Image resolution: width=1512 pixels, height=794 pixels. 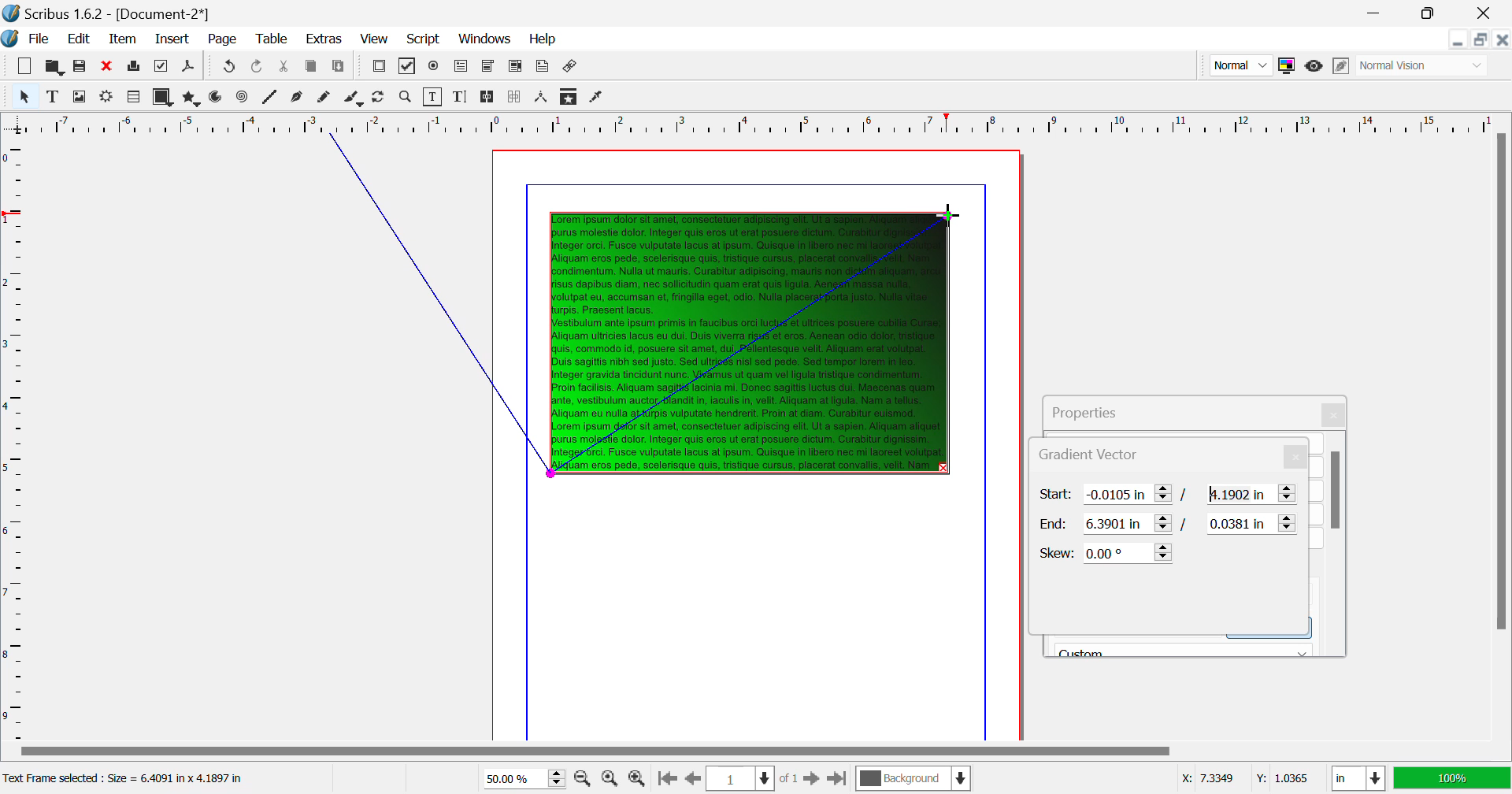 What do you see at coordinates (947, 215) in the screenshot?
I see `DRAG_TO Cursor Position` at bounding box center [947, 215].